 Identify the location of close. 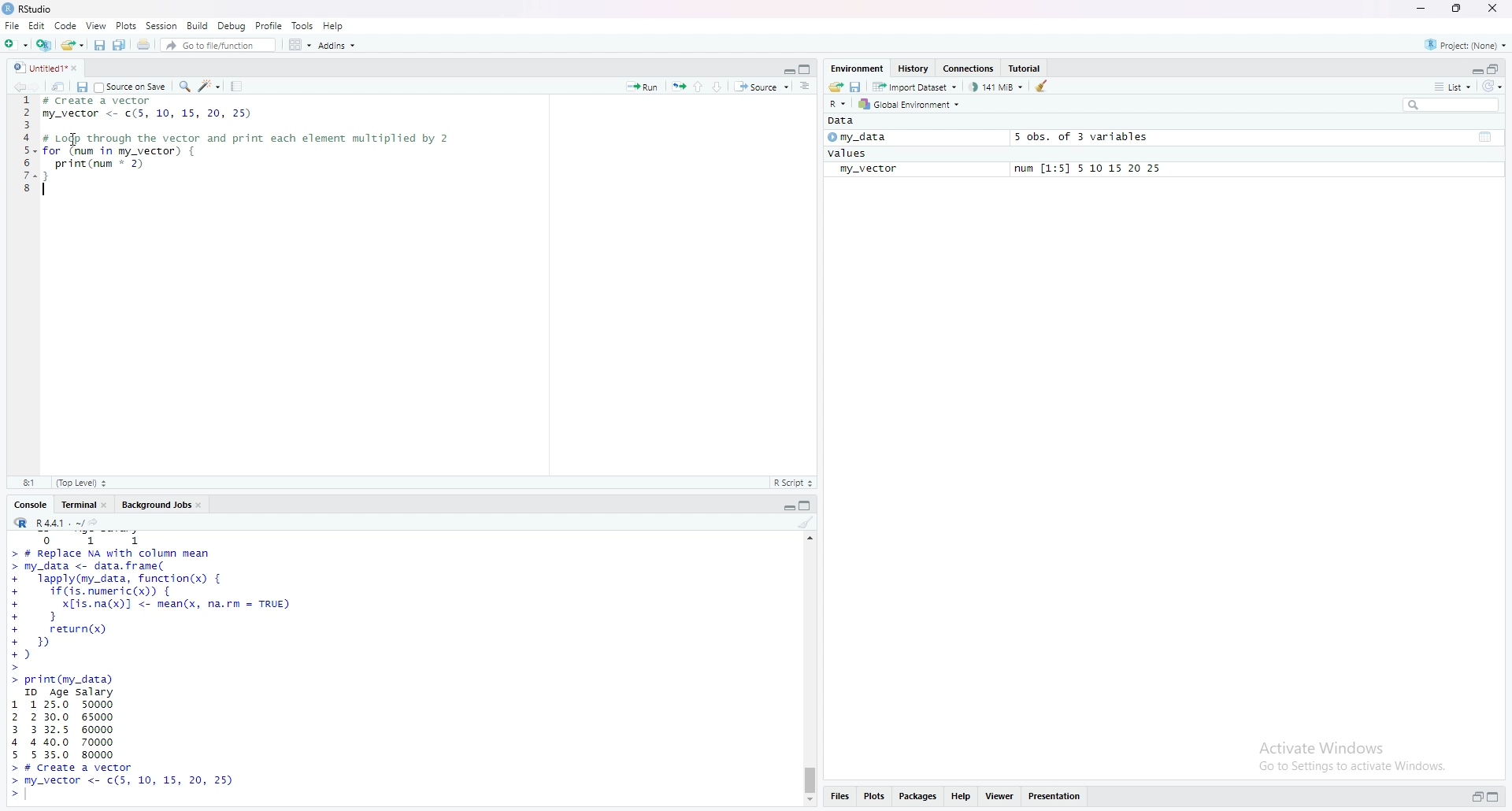
(1495, 9).